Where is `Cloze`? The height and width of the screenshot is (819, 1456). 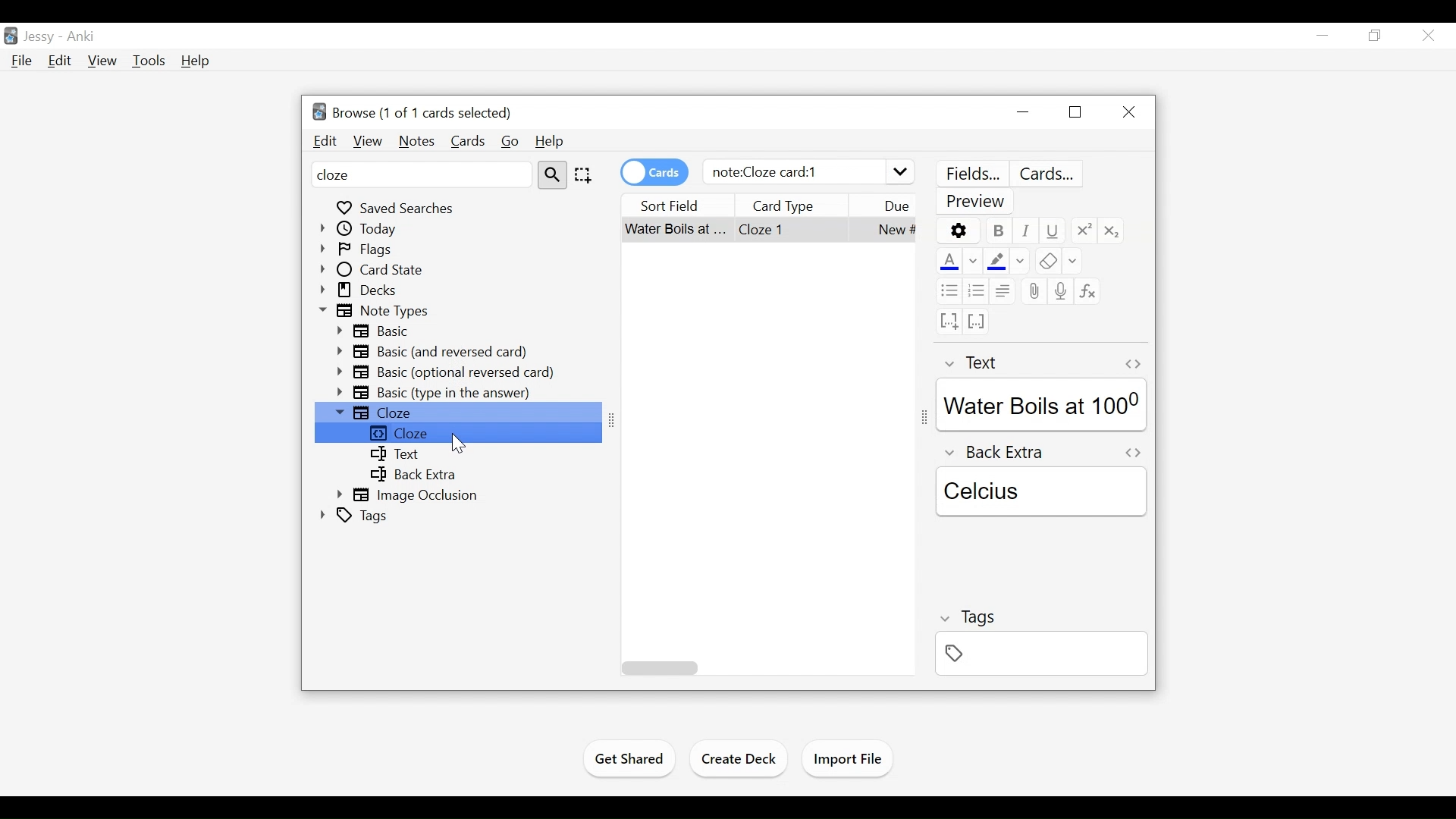 Cloze is located at coordinates (457, 433).